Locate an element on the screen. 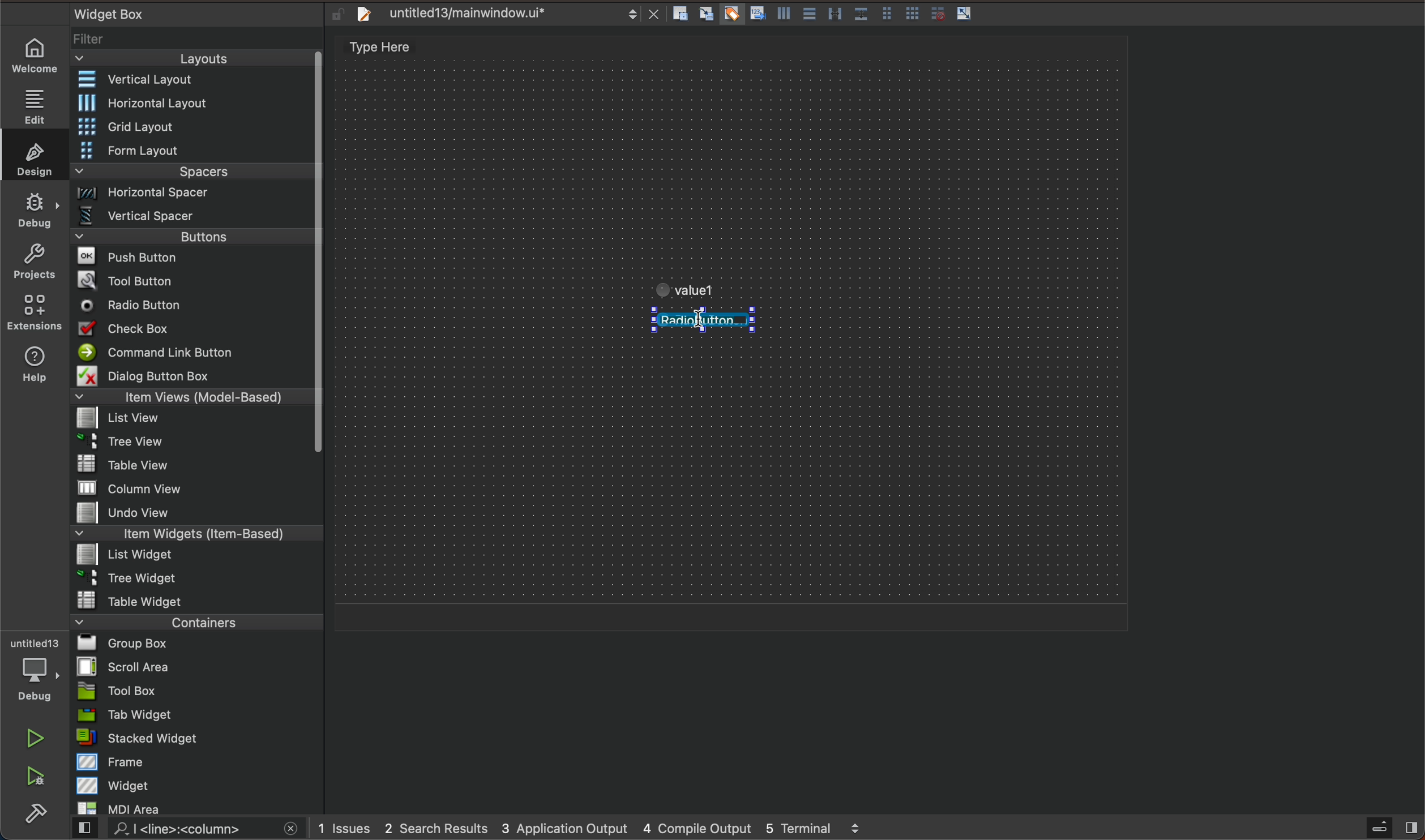 The width and height of the screenshot is (1425, 840). frame is located at coordinates (199, 761).